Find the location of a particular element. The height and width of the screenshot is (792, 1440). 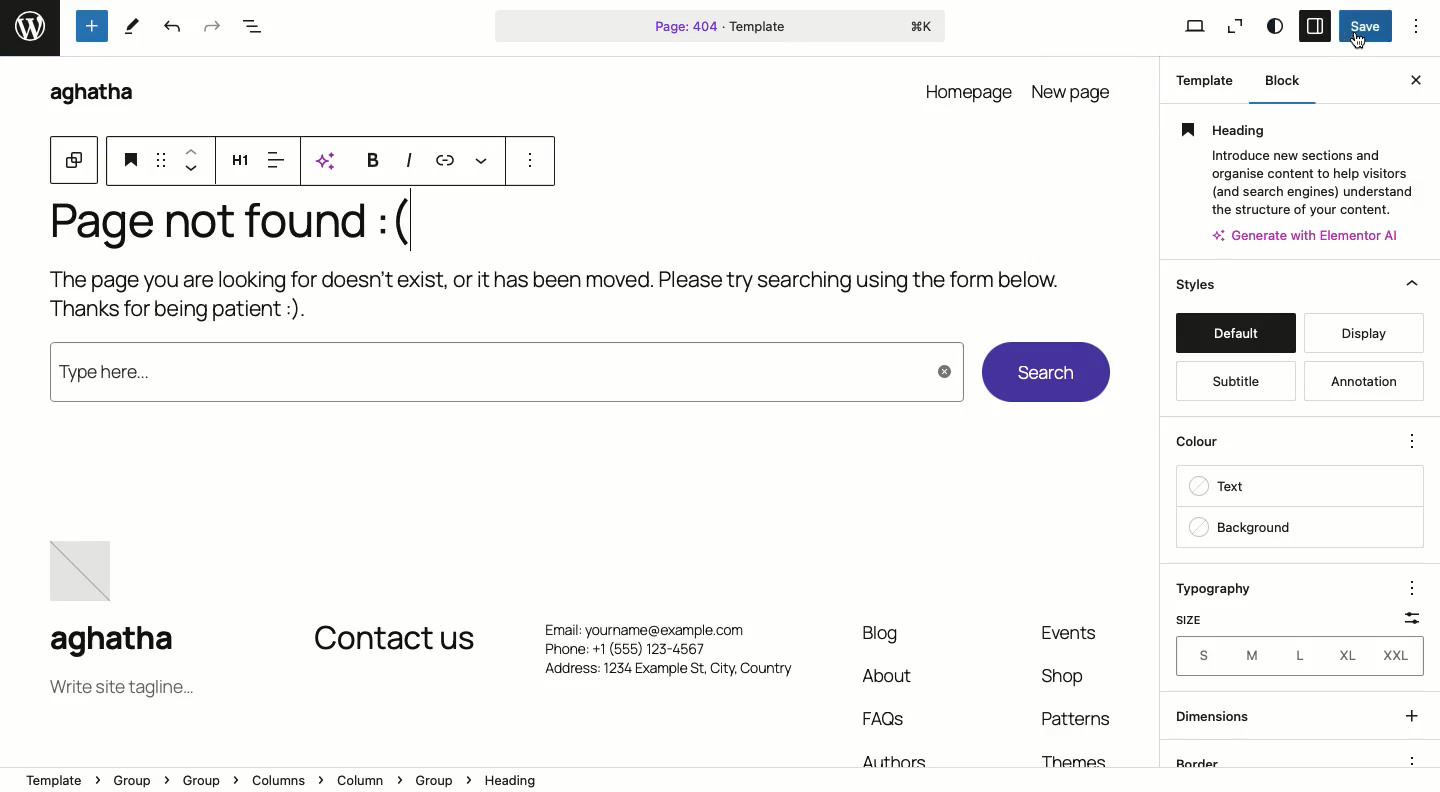

options is located at coordinates (1412, 760).